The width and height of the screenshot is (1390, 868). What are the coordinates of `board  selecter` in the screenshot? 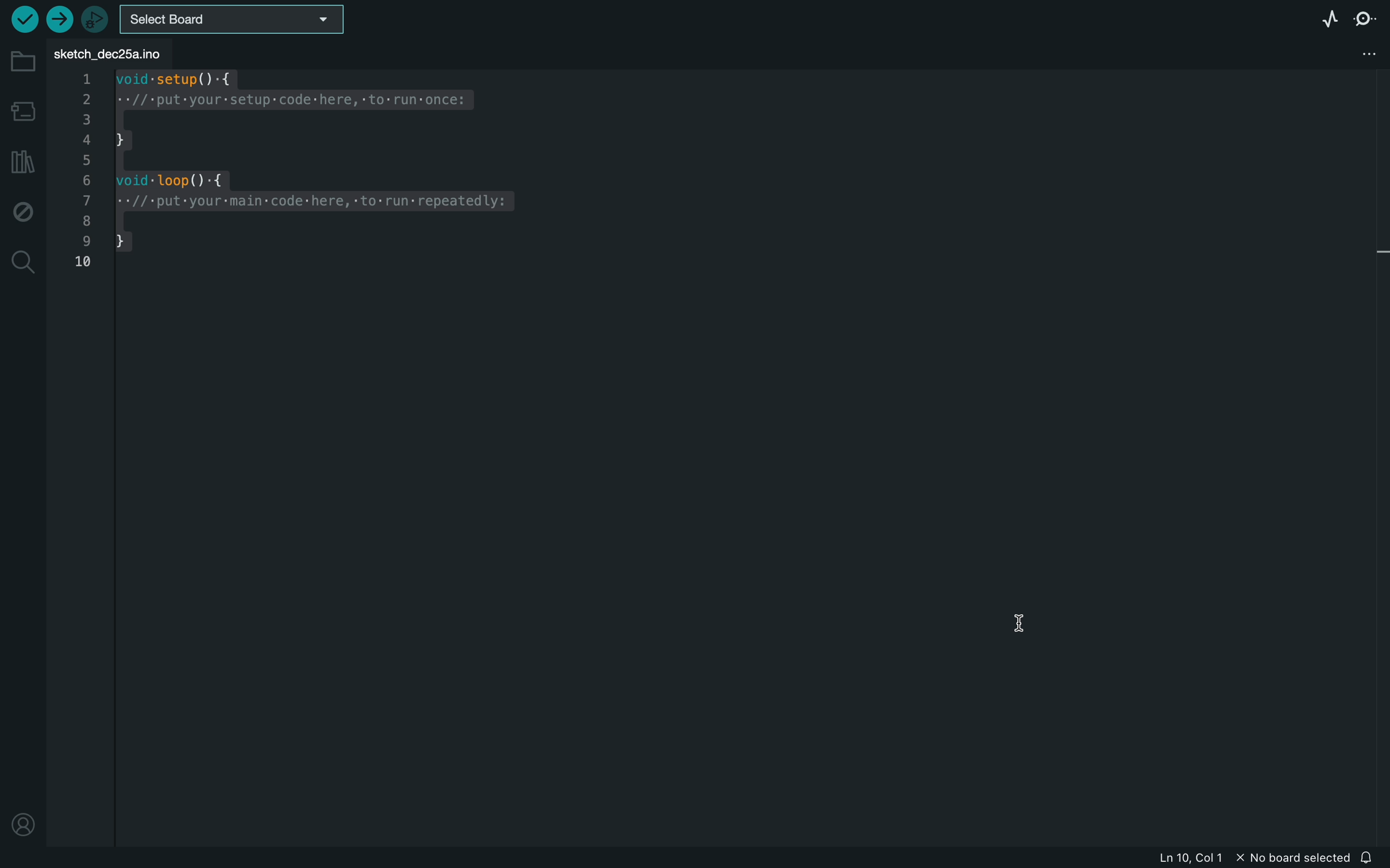 It's located at (234, 21).